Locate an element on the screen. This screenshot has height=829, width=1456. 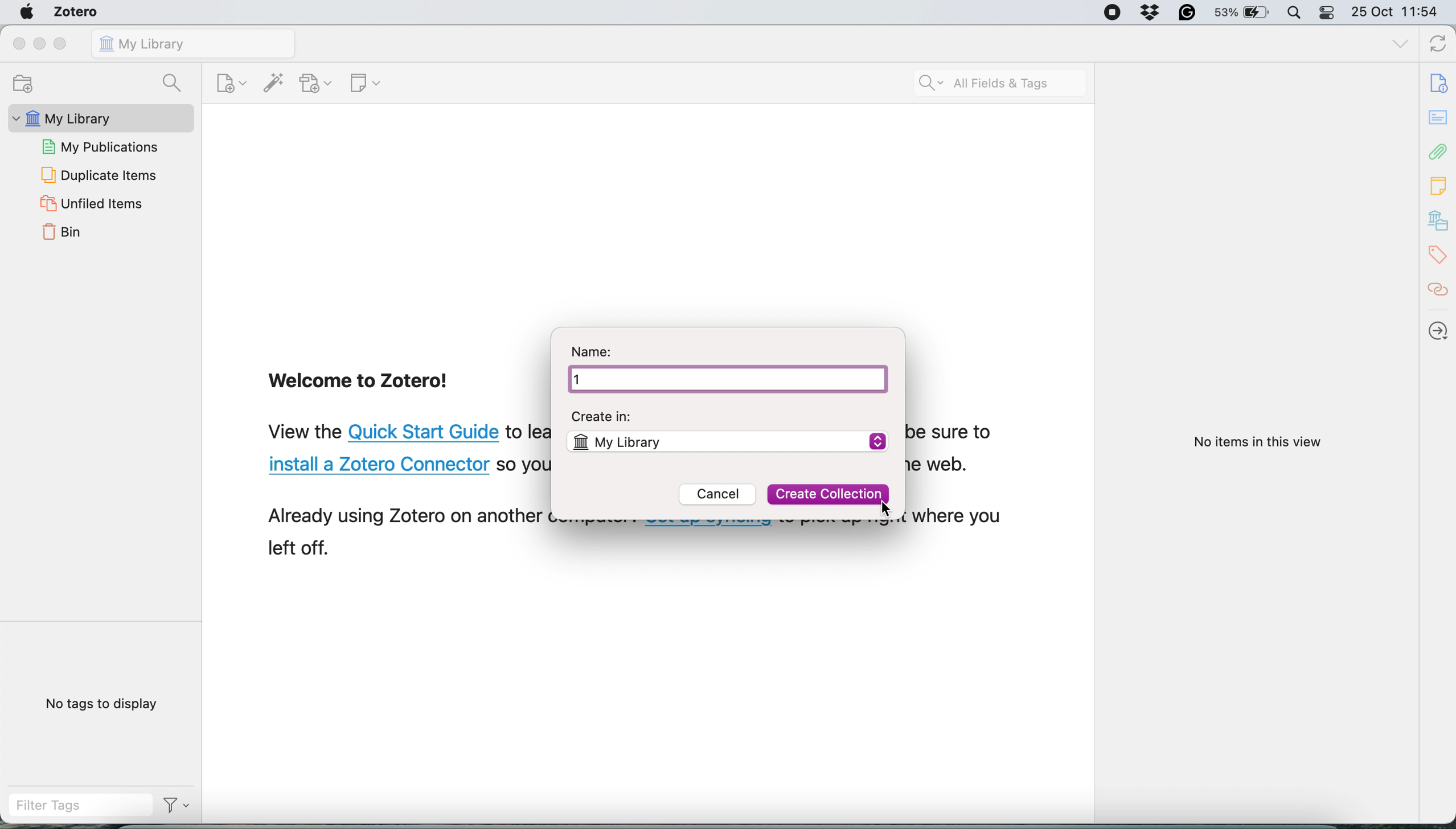
close is located at coordinates (18, 43).